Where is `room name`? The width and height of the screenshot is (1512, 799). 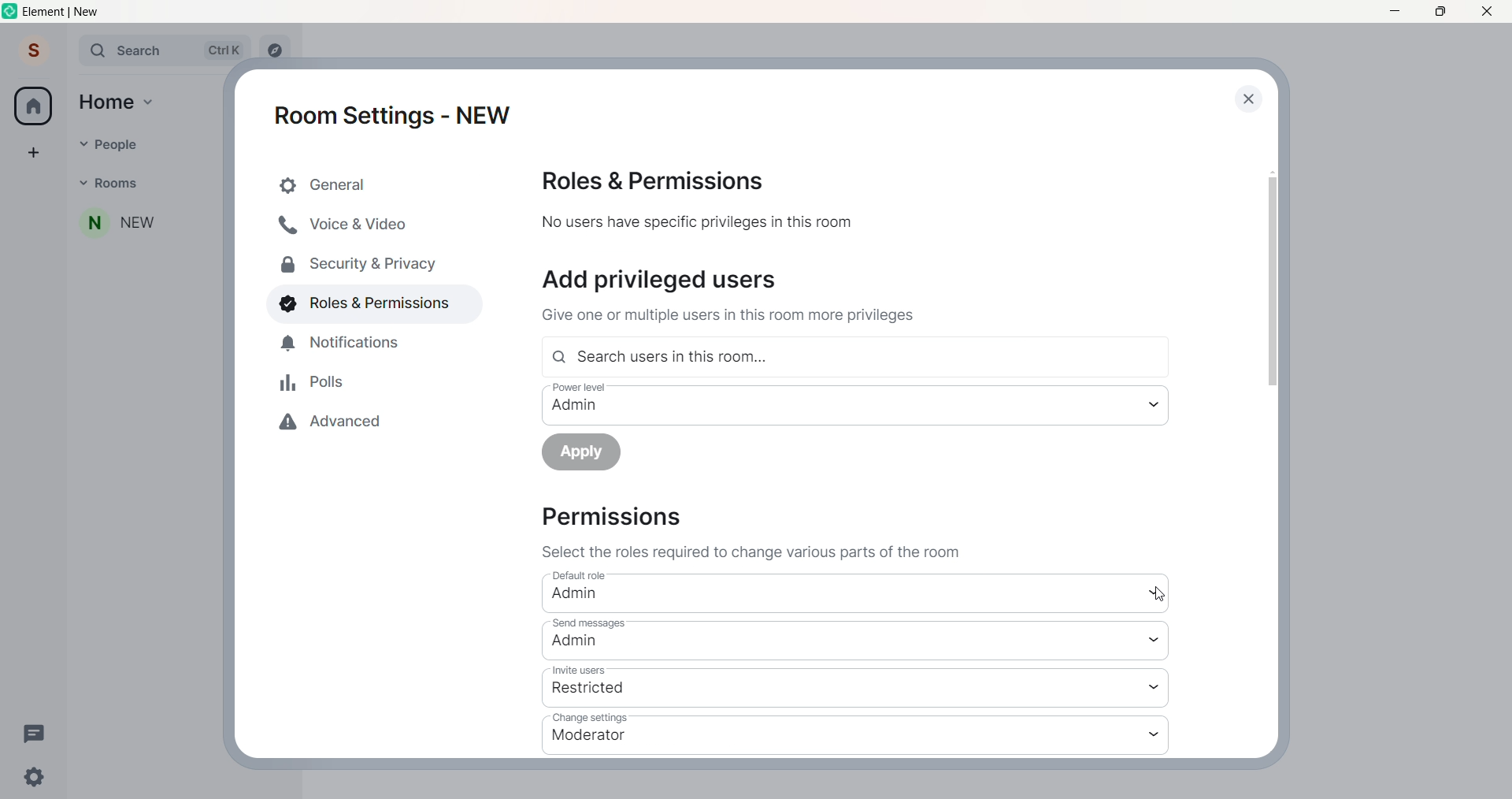
room name is located at coordinates (114, 226).